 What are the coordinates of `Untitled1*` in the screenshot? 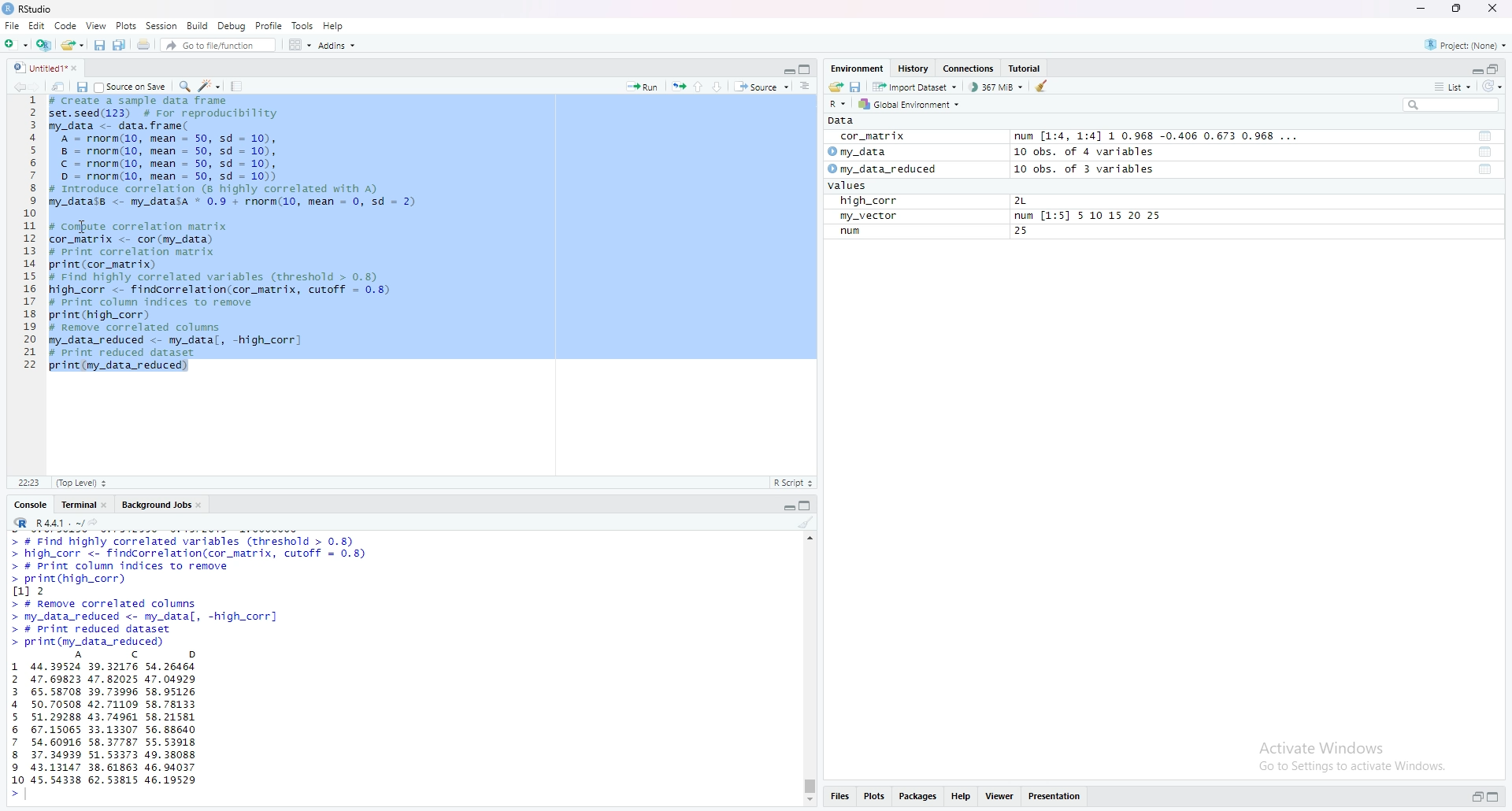 It's located at (39, 68).